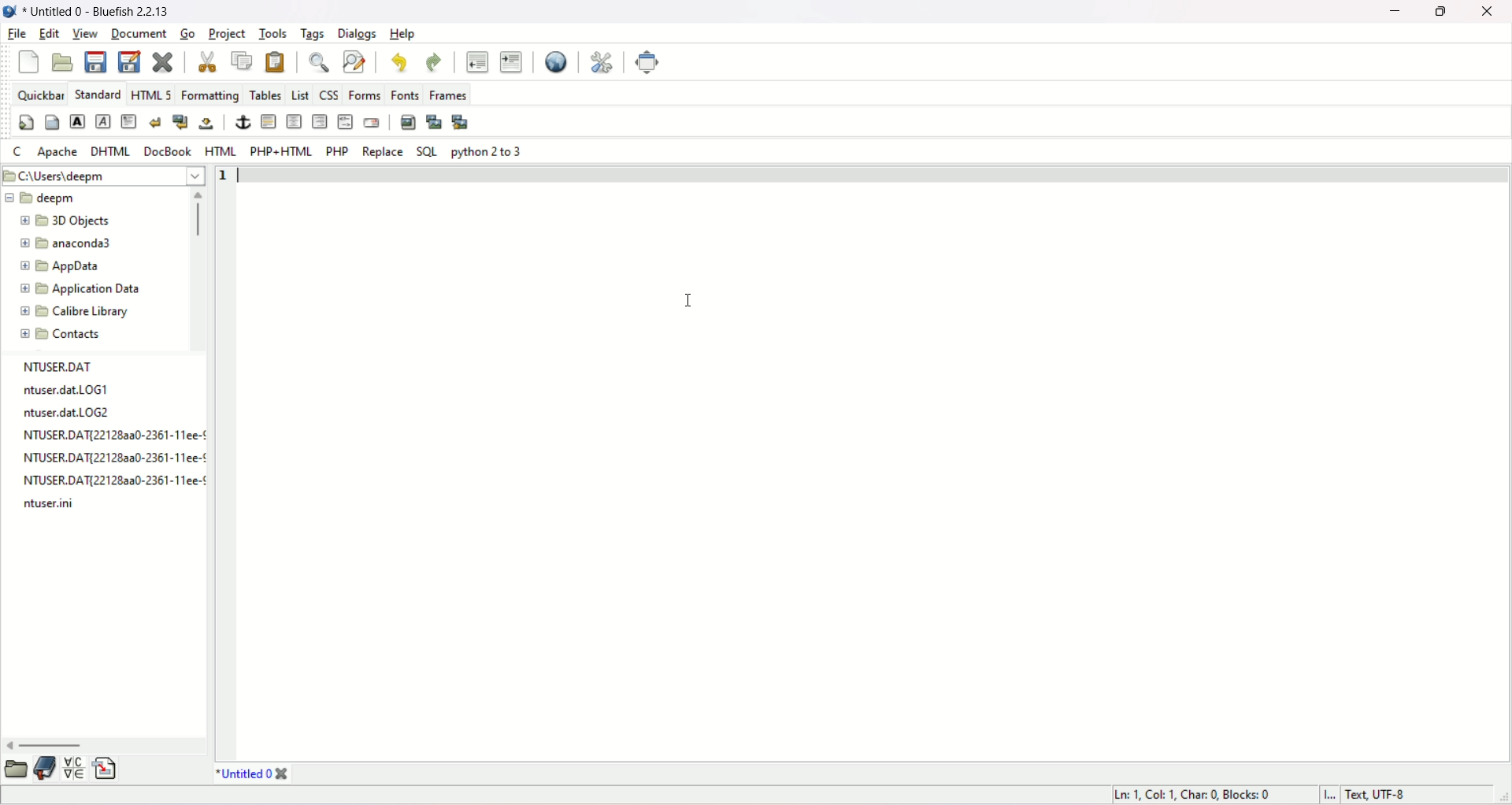 The width and height of the screenshot is (1512, 805). What do you see at coordinates (599, 62) in the screenshot?
I see `preferences` at bounding box center [599, 62].